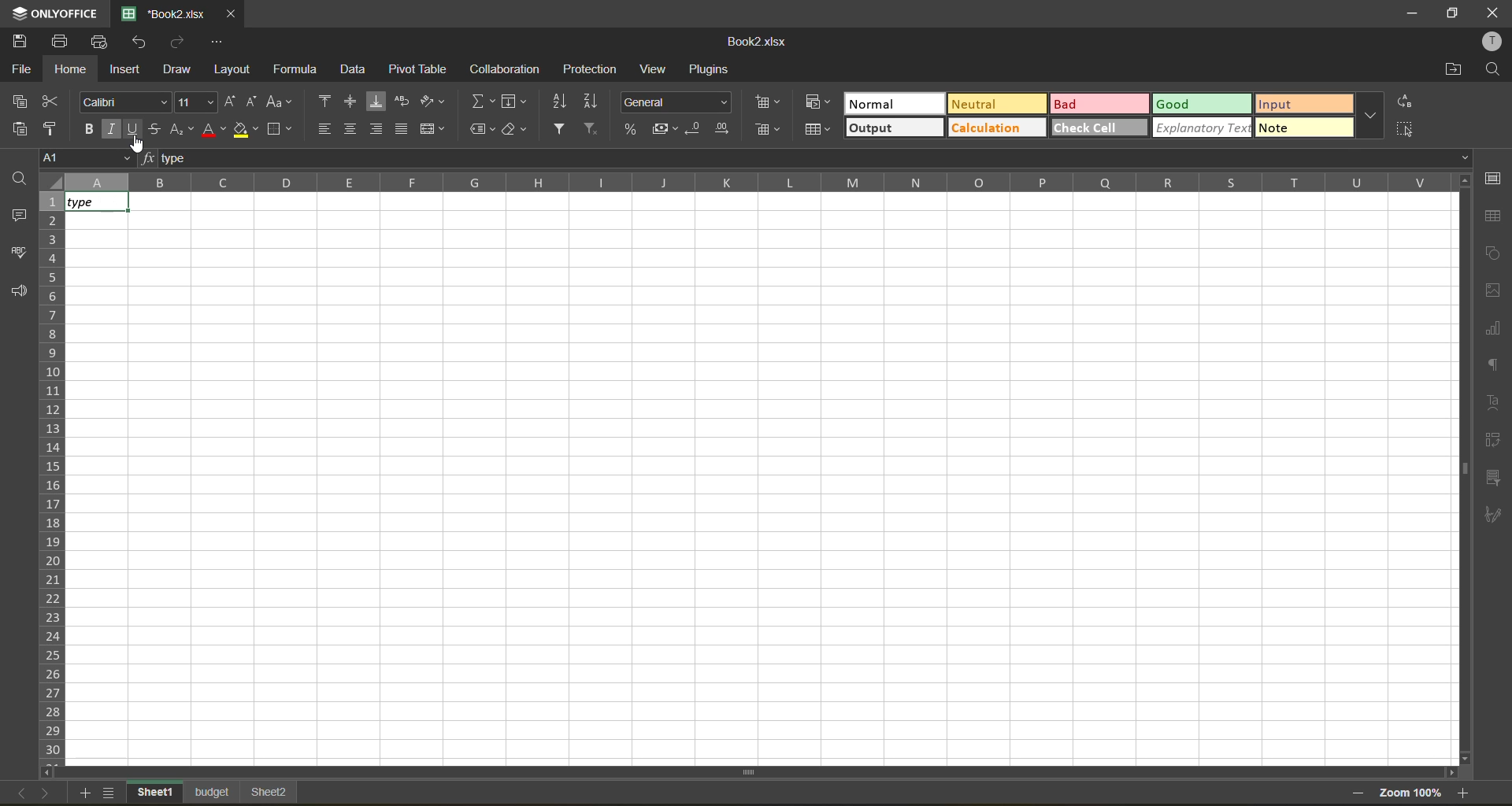  I want to click on zoom out, so click(1354, 795).